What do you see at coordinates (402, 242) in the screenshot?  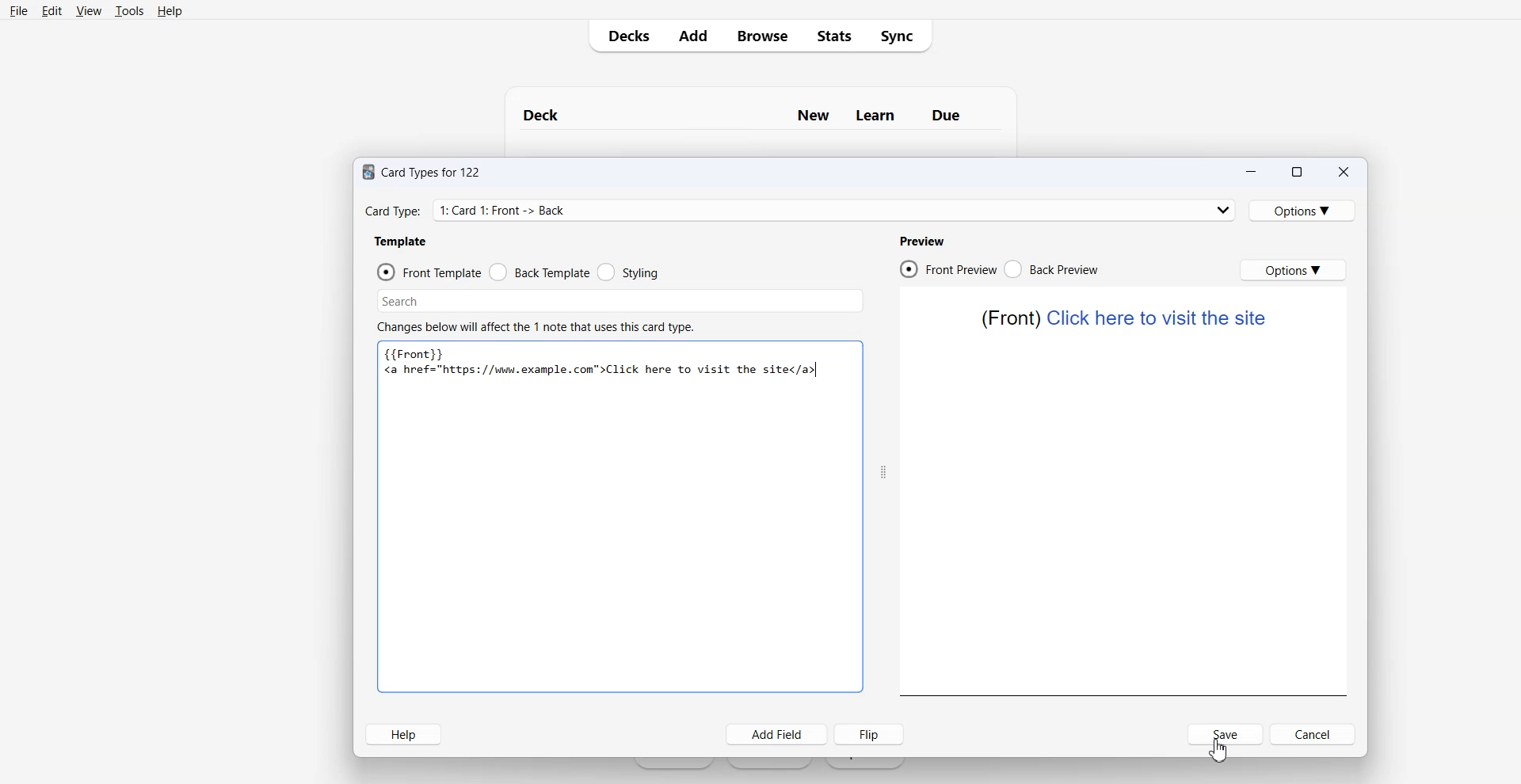 I see `Template ` at bounding box center [402, 242].